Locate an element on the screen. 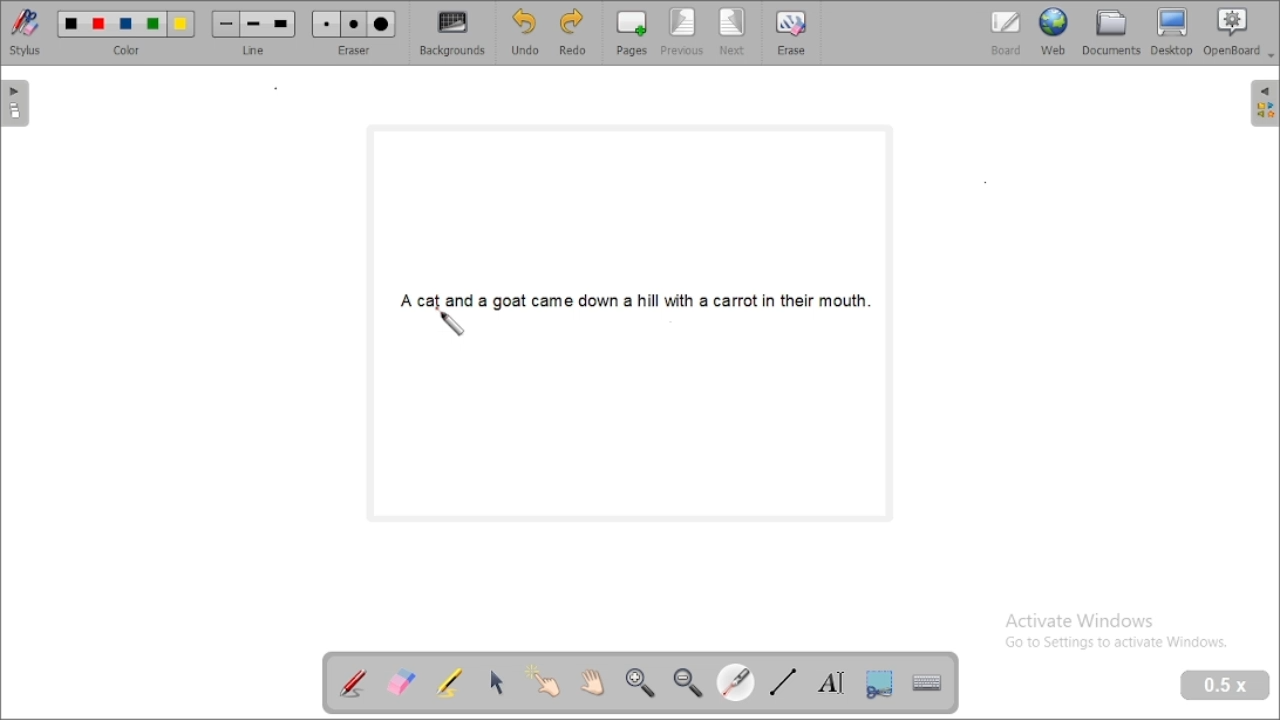 The width and height of the screenshot is (1280, 720). line is located at coordinates (253, 34).